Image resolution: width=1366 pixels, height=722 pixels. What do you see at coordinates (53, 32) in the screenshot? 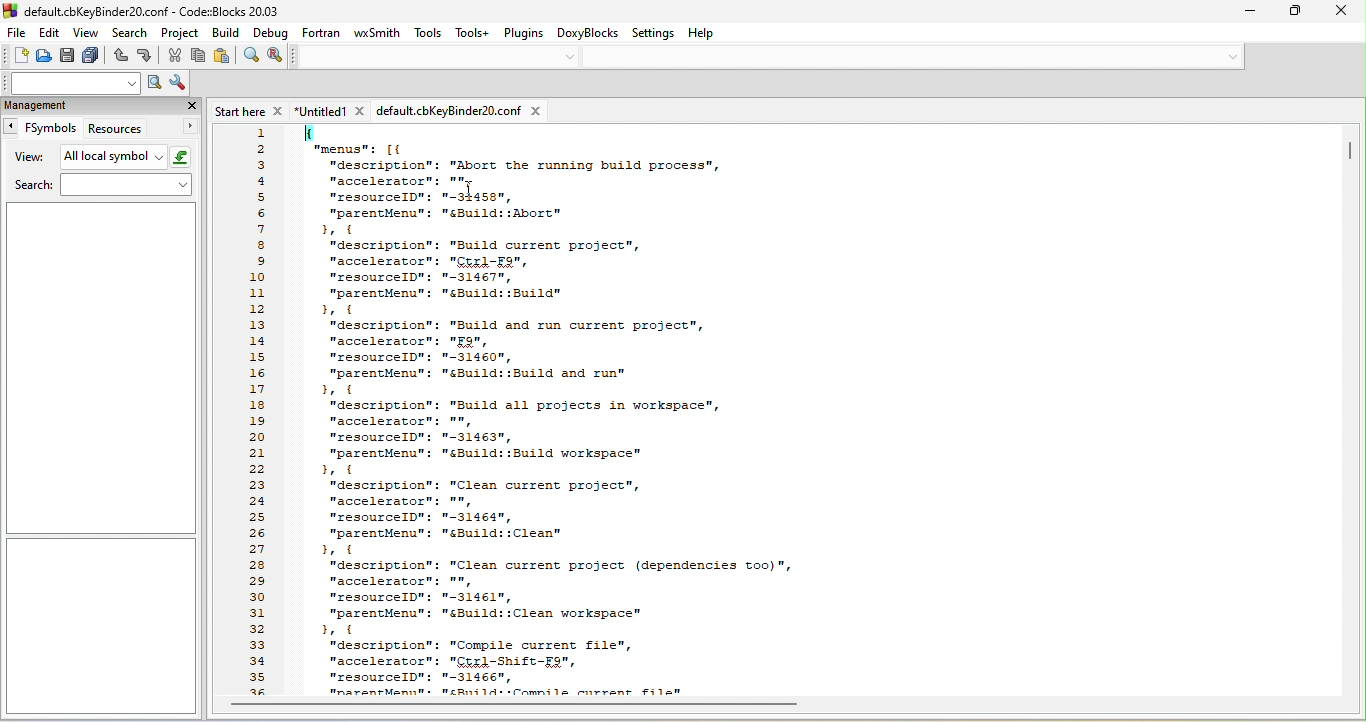
I see `edit` at bounding box center [53, 32].